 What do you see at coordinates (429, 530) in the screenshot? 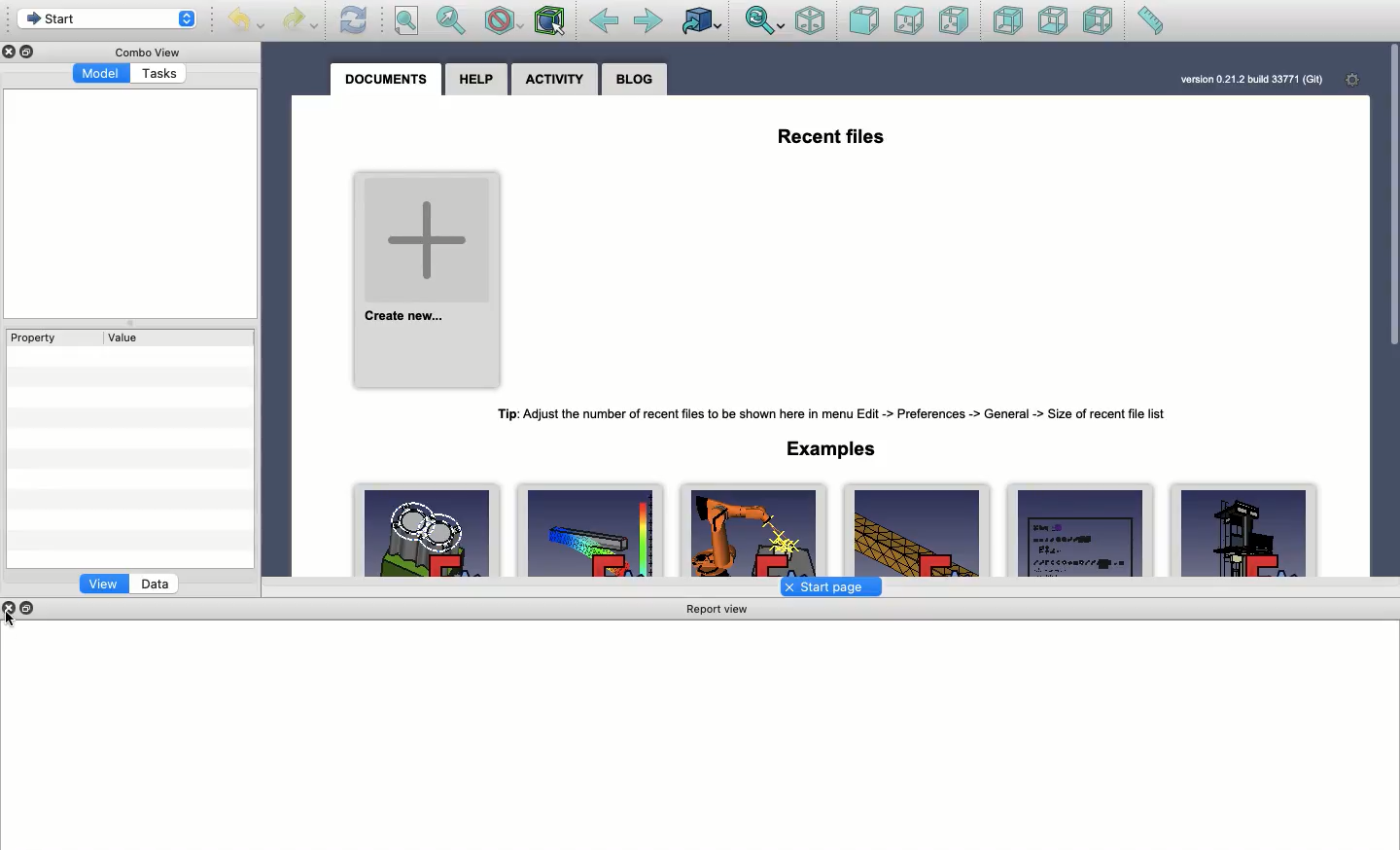
I see `EngineBlock.FCStd Werner Mayer 78Kb` at bounding box center [429, 530].